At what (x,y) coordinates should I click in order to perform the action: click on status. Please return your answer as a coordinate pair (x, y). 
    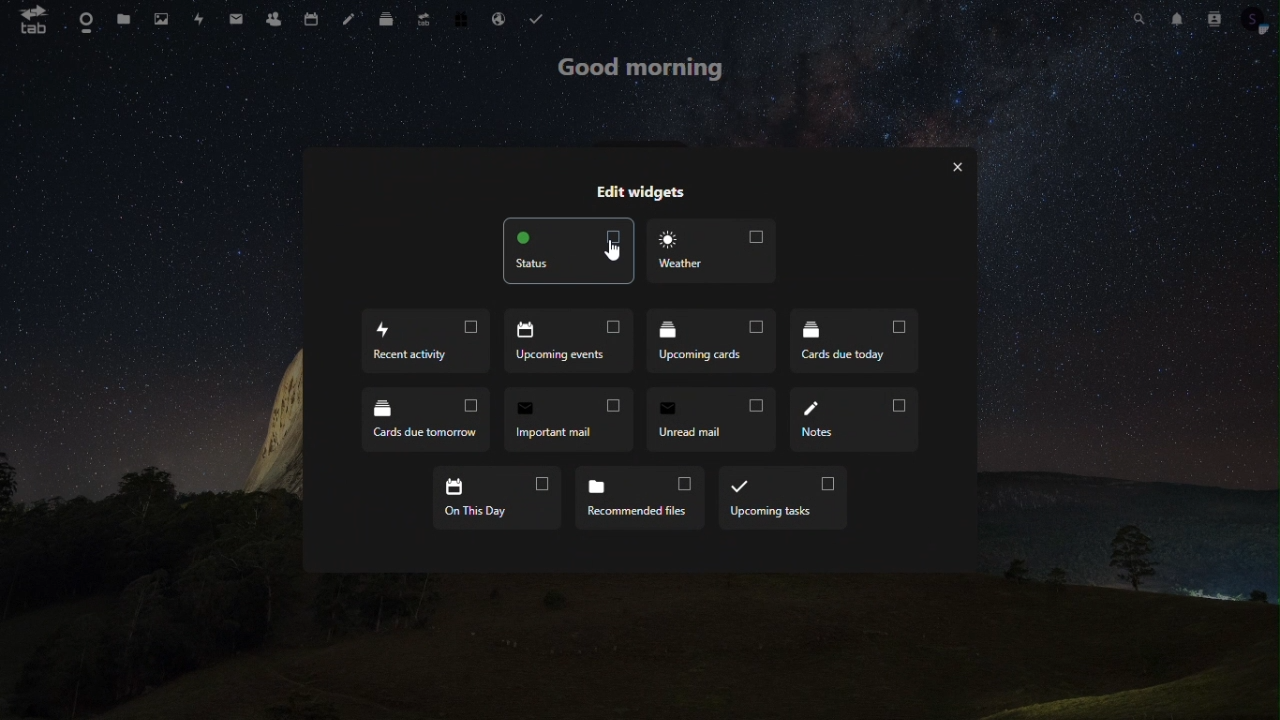
    Looking at the image, I should click on (569, 250).